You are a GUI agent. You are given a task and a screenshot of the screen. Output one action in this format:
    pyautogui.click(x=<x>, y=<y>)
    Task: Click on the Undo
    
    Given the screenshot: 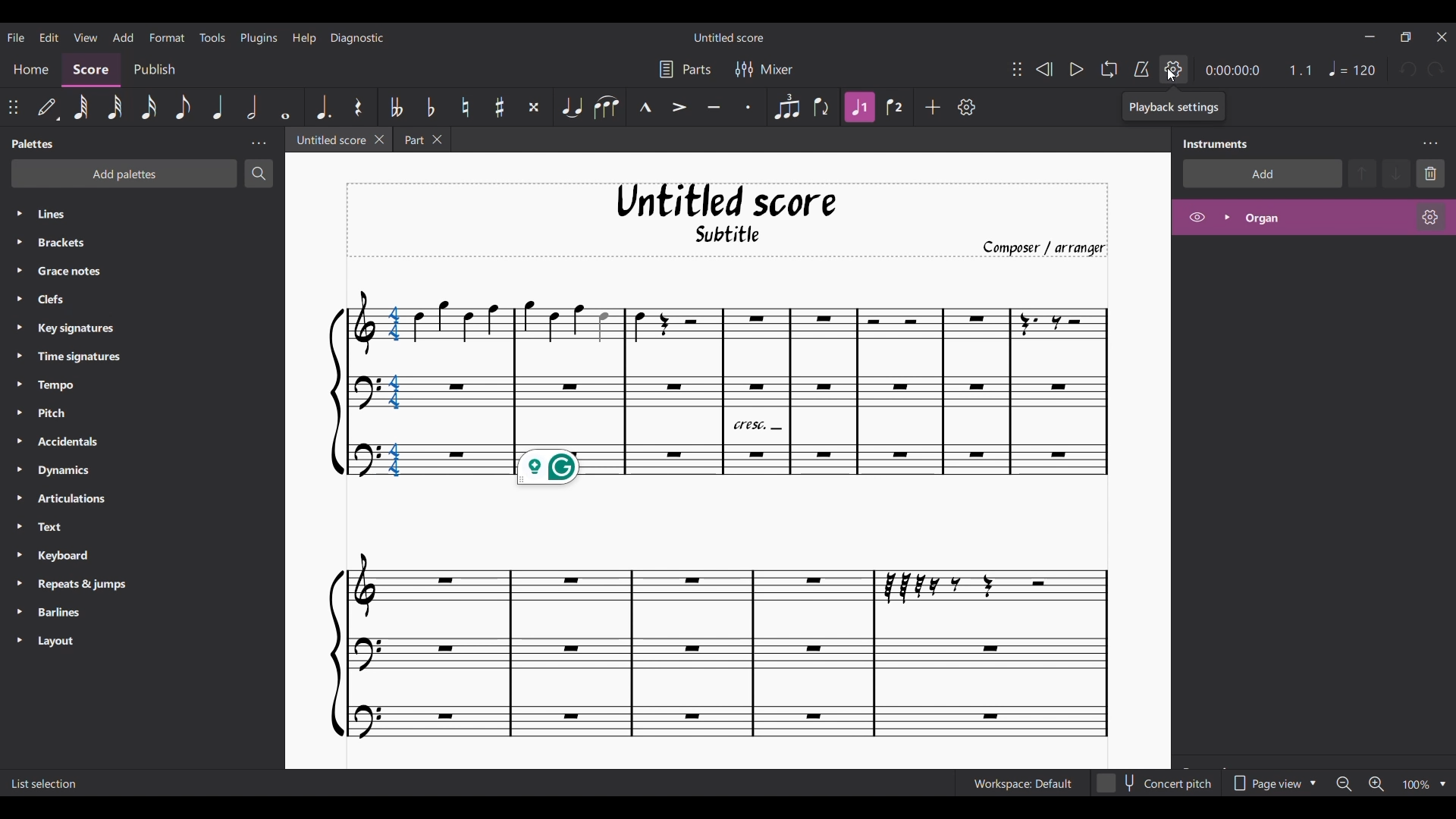 What is the action you would take?
    pyautogui.click(x=1410, y=69)
    